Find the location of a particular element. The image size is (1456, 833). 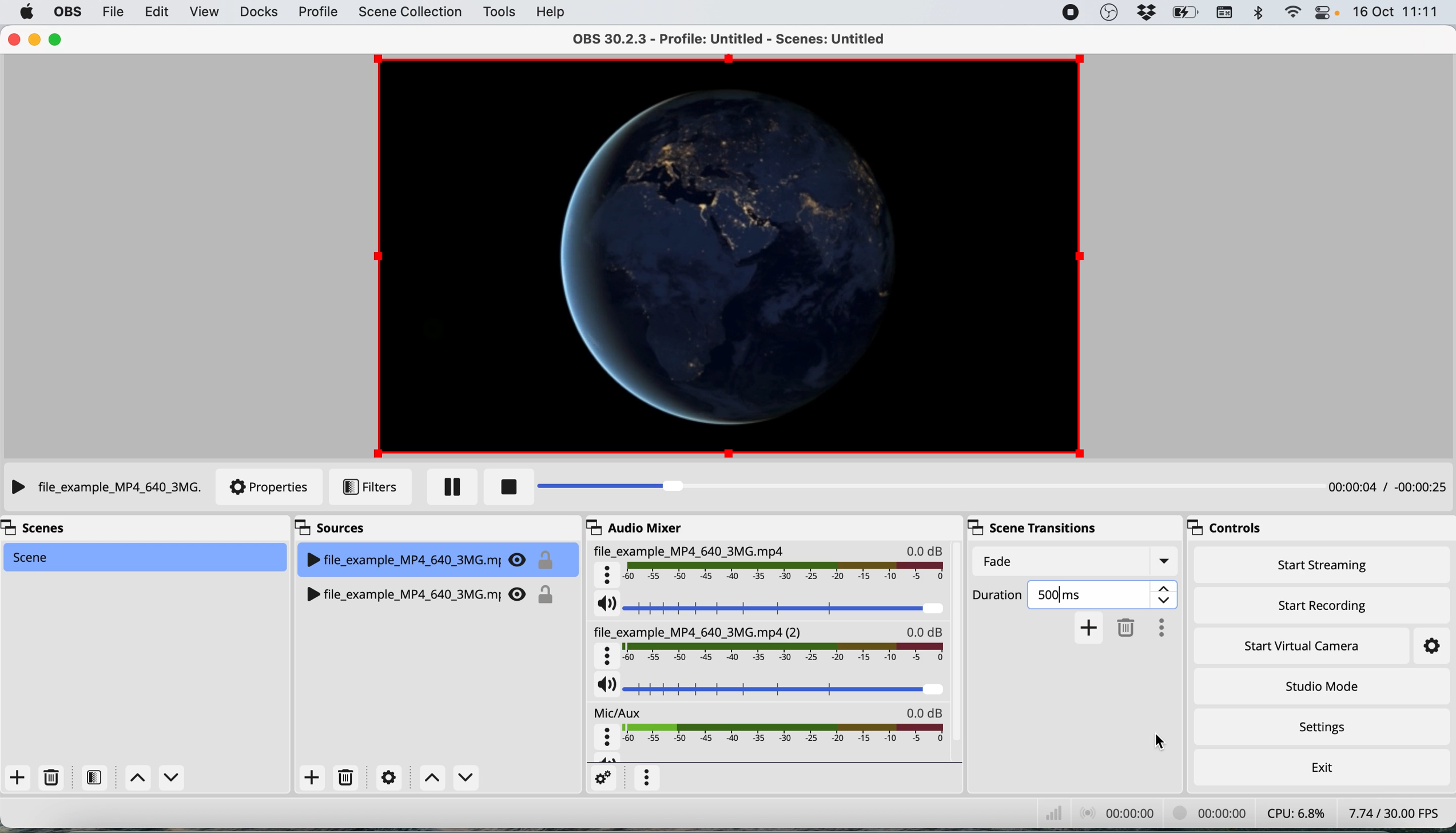

network is located at coordinates (1047, 812).